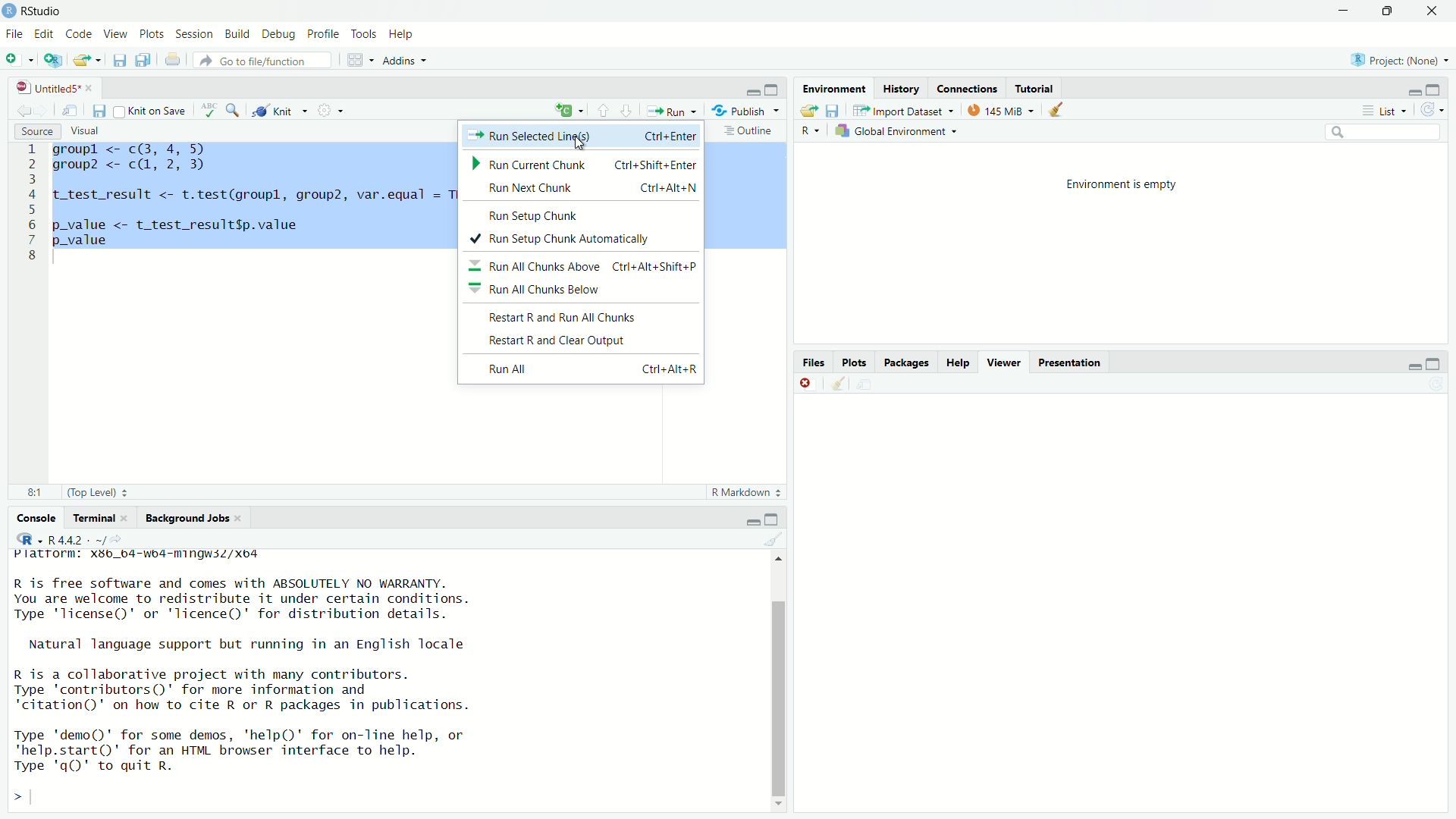 The height and width of the screenshot is (819, 1456). What do you see at coordinates (240, 666) in the screenshot?
I see `FIST. Sv wey Wimpey avs

R is free software and comes with ABSOLUTELY NO WARRANTY.

You are welcome to redistribute it under certain conditions.

Type 'license()' or 'licence()' for distribution details.
Natural language support but running in an English locale

R is a collaborative project with many contributors.

Type 'contributors()' for more information and

'citation()' on how to cite R or R packages in publications.

Type 'demo()' for some demos, 'help()' for on-Tine help, or

"help.start()' for an HTML browser interface to help.

Type 'qQ)' to quit R.` at bounding box center [240, 666].